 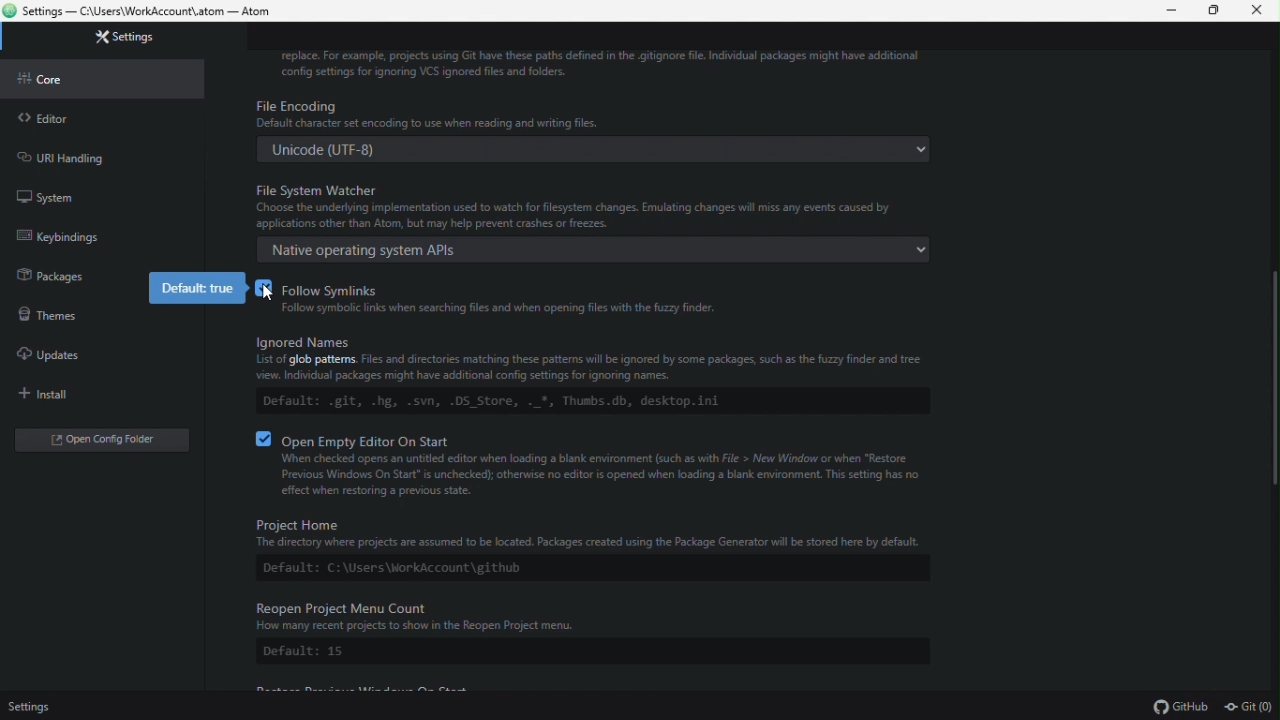 What do you see at coordinates (107, 442) in the screenshot?
I see `Open configure editor` at bounding box center [107, 442].